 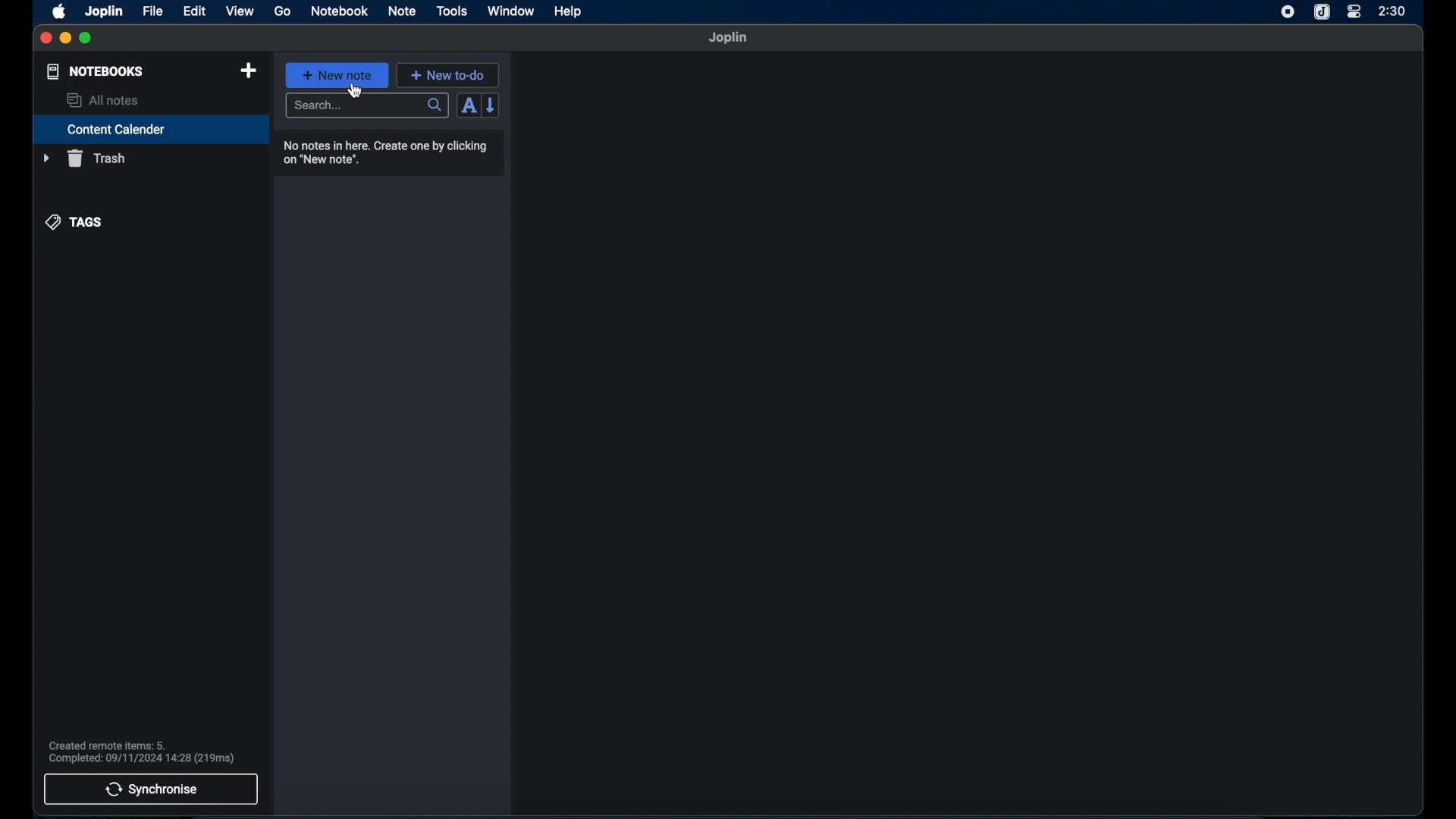 What do you see at coordinates (60, 12) in the screenshot?
I see `apple icon` at bounding box center [60, 12].